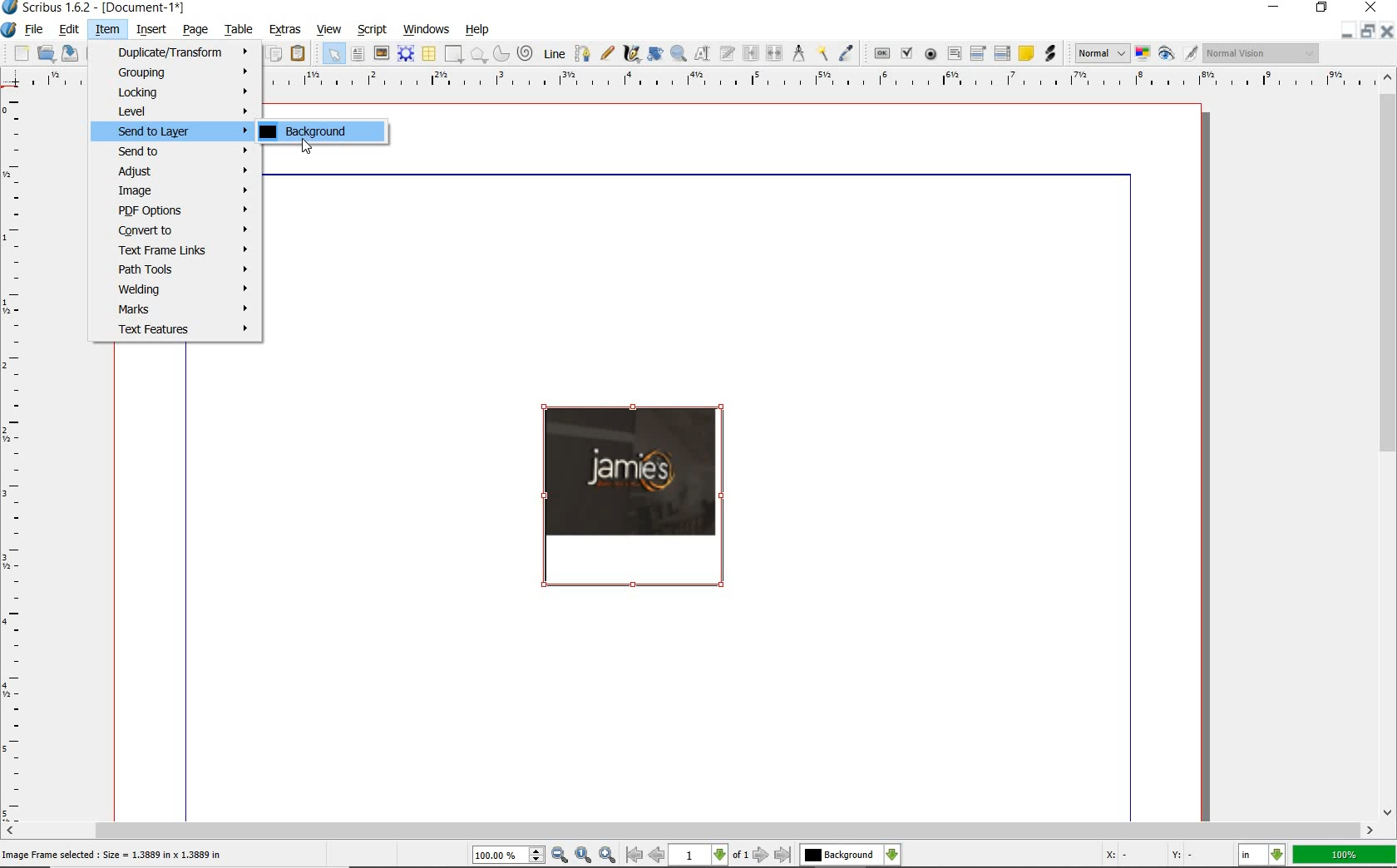  I want to click on Marks, so click(176, 310).